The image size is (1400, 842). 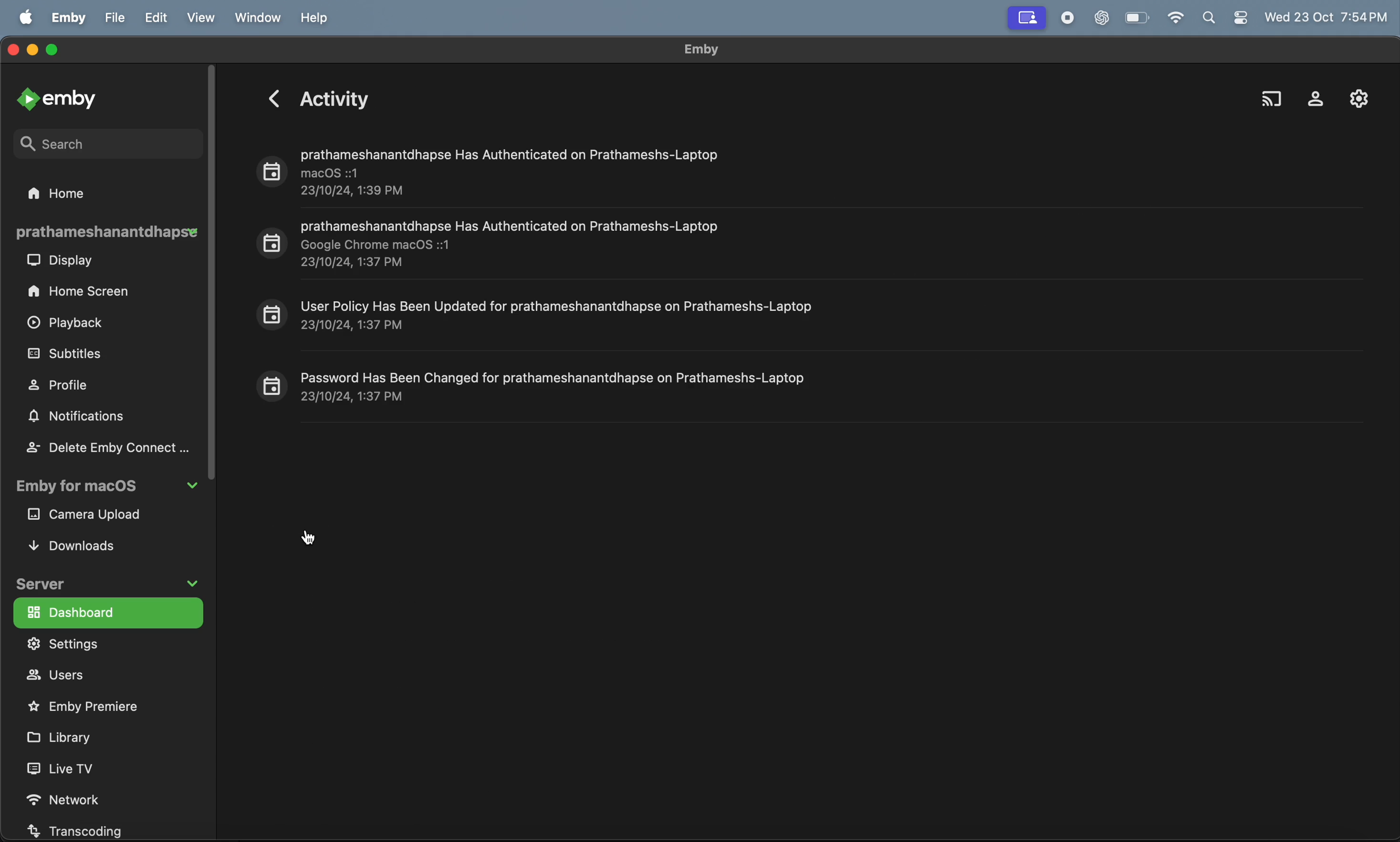 I want to click on prathameshanantdhapse, so click(x=106, y=232).